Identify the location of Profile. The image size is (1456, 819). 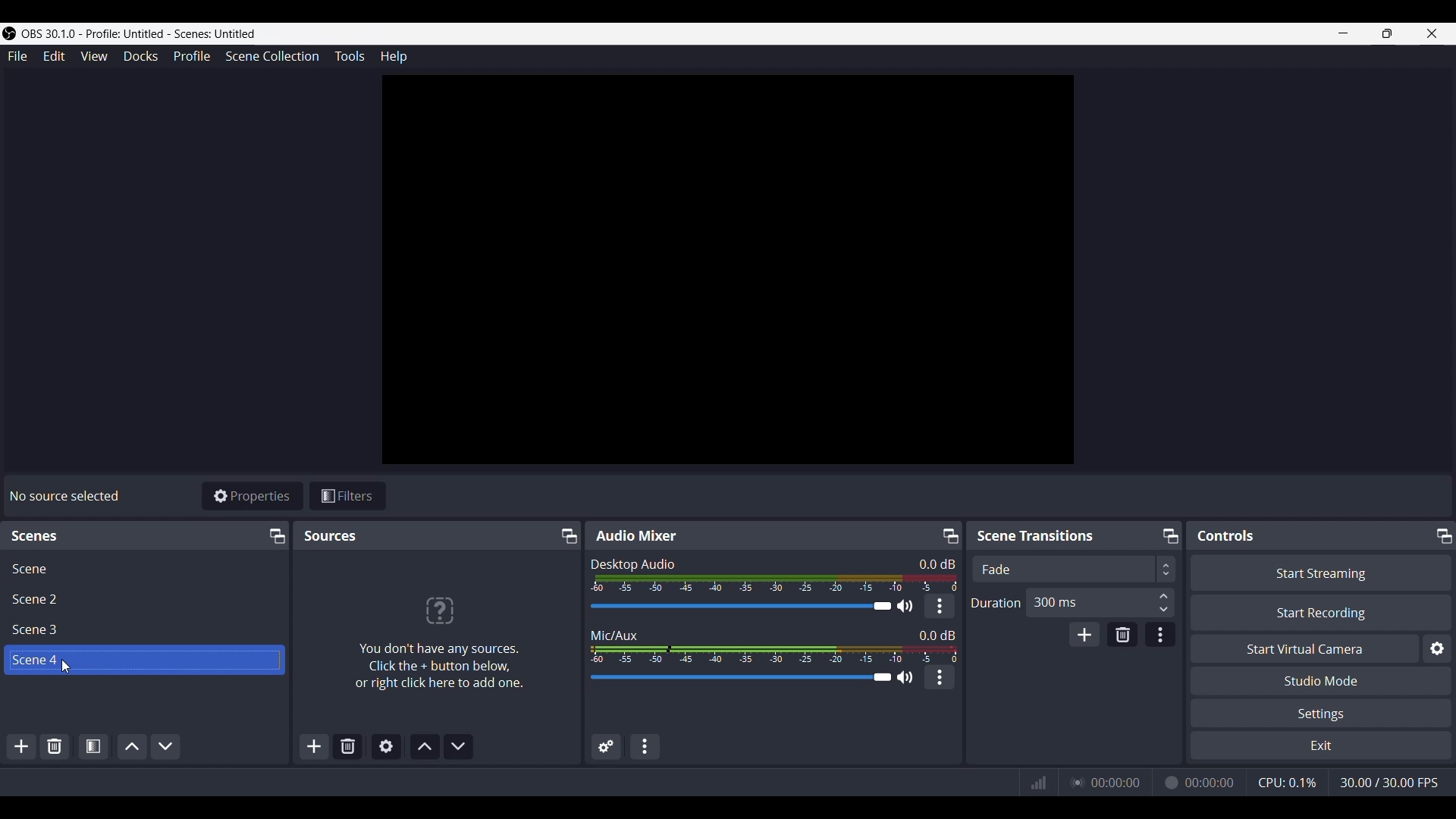
(193, 55).